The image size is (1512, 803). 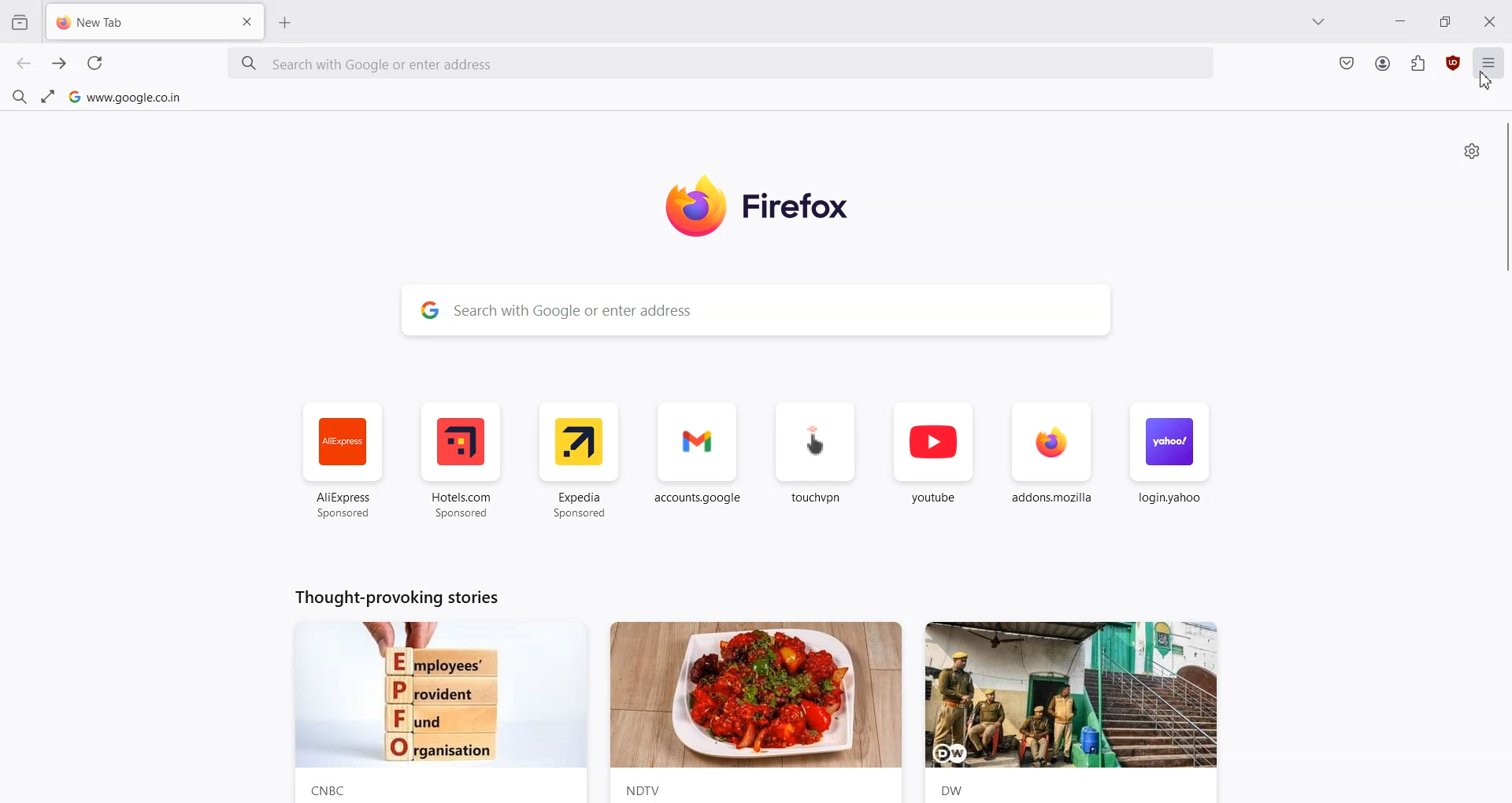 I want to click on Hotel.com Sponsored, so click(x=460, y=461).